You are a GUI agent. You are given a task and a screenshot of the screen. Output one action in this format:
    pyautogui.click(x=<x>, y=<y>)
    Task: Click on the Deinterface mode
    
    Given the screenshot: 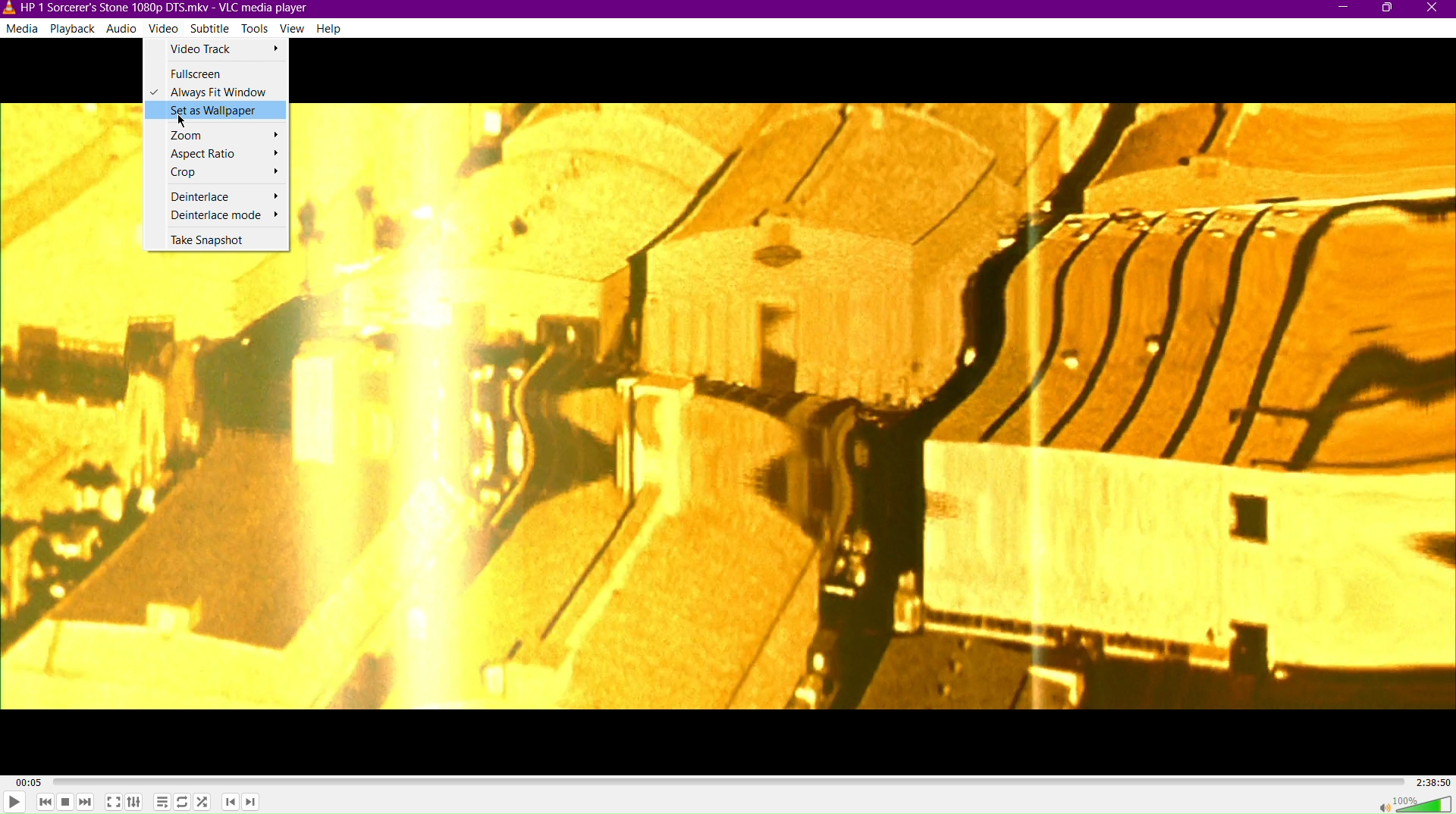 What is the action you would take?
    pyautogui.click(x=216, y=217)
    